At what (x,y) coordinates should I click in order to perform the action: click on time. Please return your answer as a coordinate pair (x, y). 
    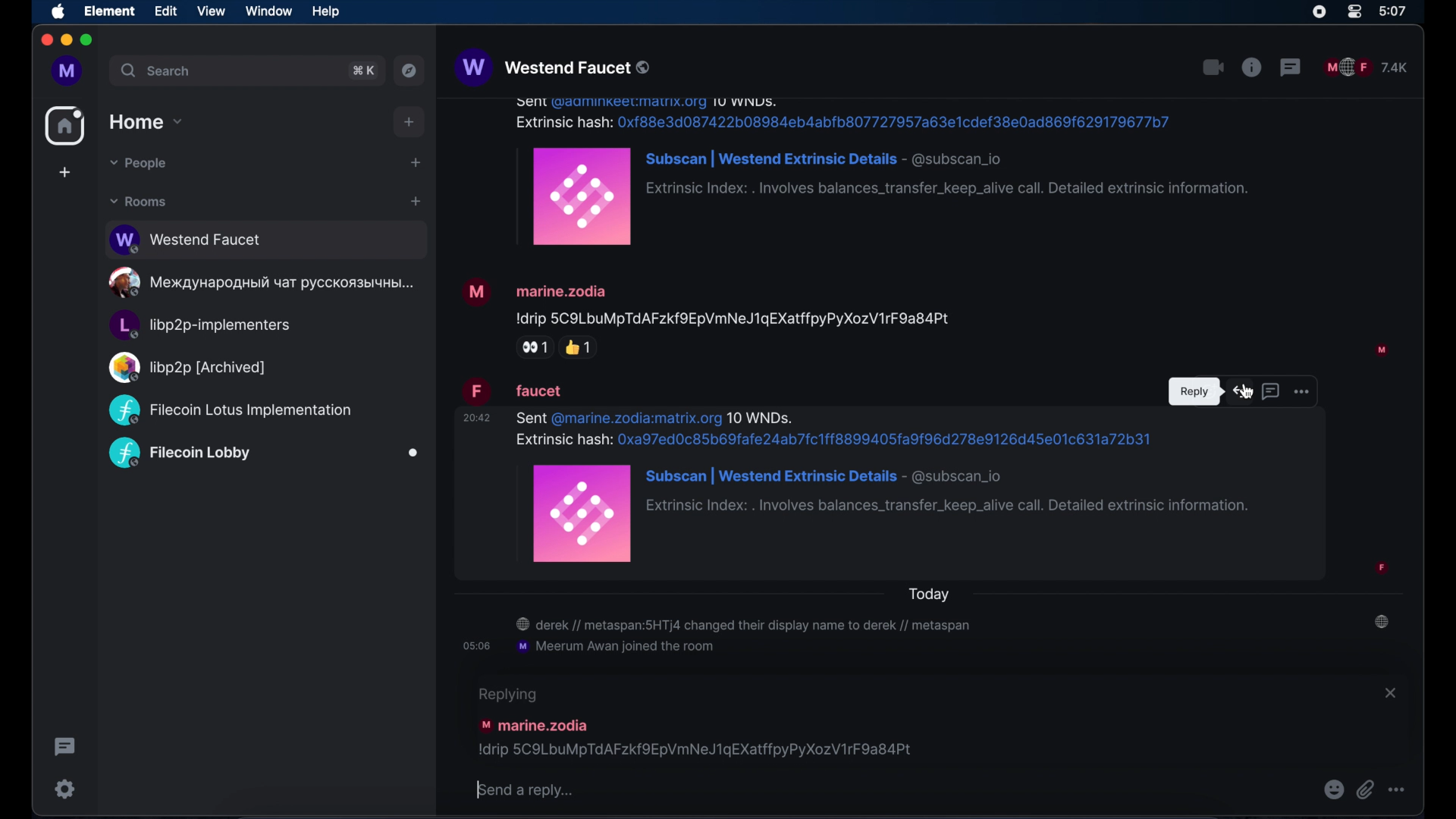
    Looking at the image, I should click on (1394, 11).